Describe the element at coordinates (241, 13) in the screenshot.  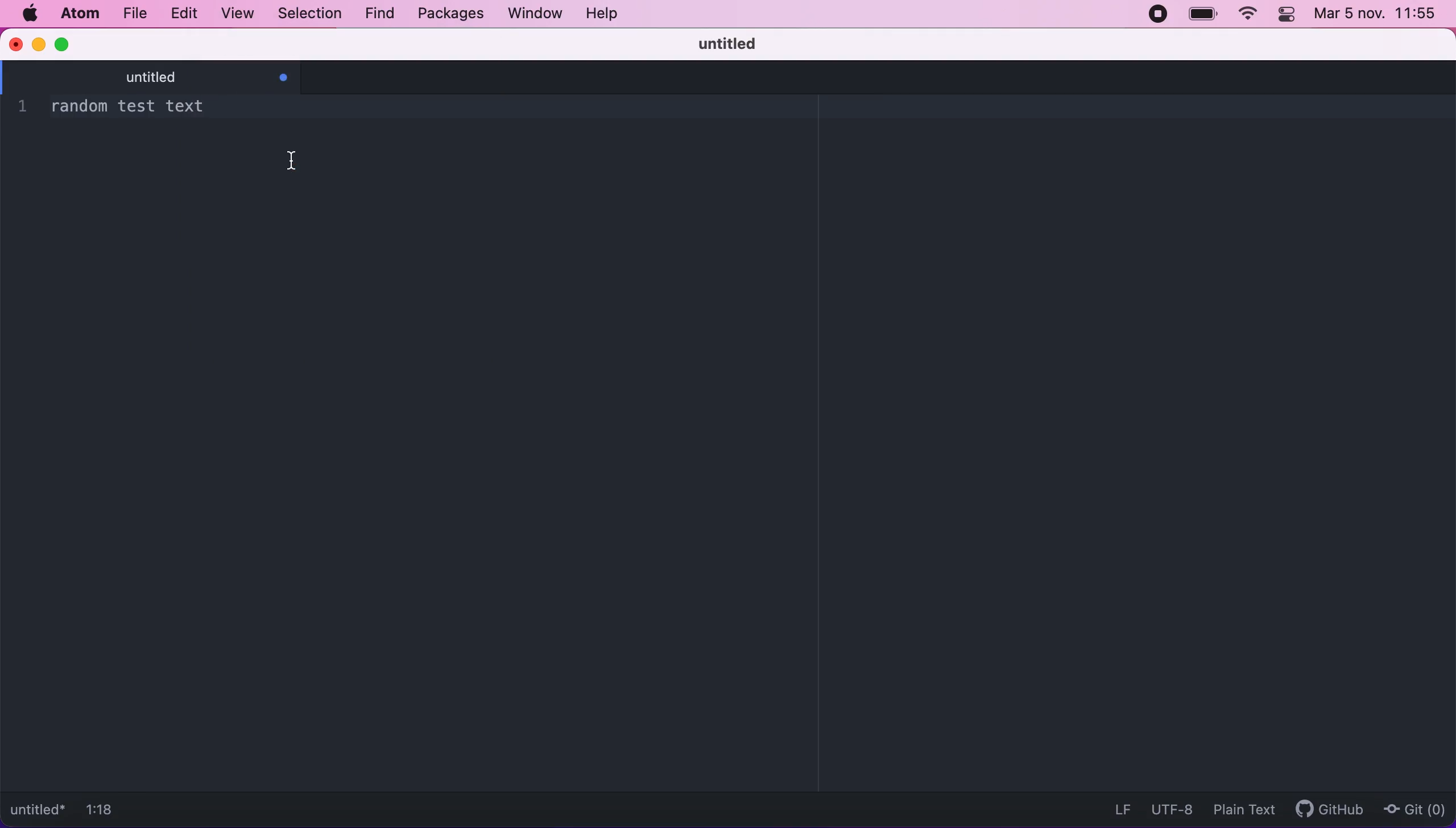
I see `view` at that location.